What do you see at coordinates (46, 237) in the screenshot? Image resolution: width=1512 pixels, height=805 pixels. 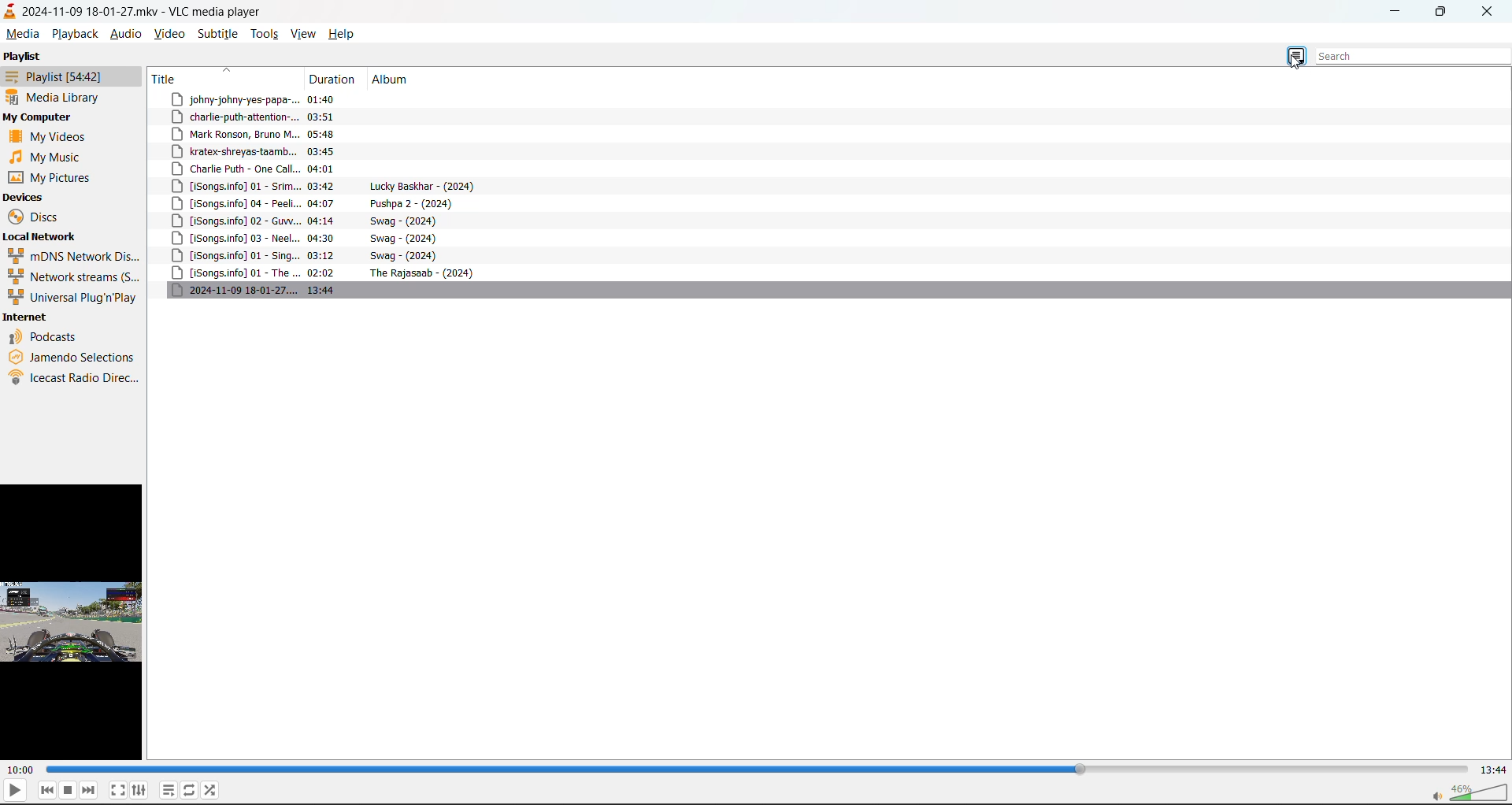 I see `local network` at bounding box center [46, 237].